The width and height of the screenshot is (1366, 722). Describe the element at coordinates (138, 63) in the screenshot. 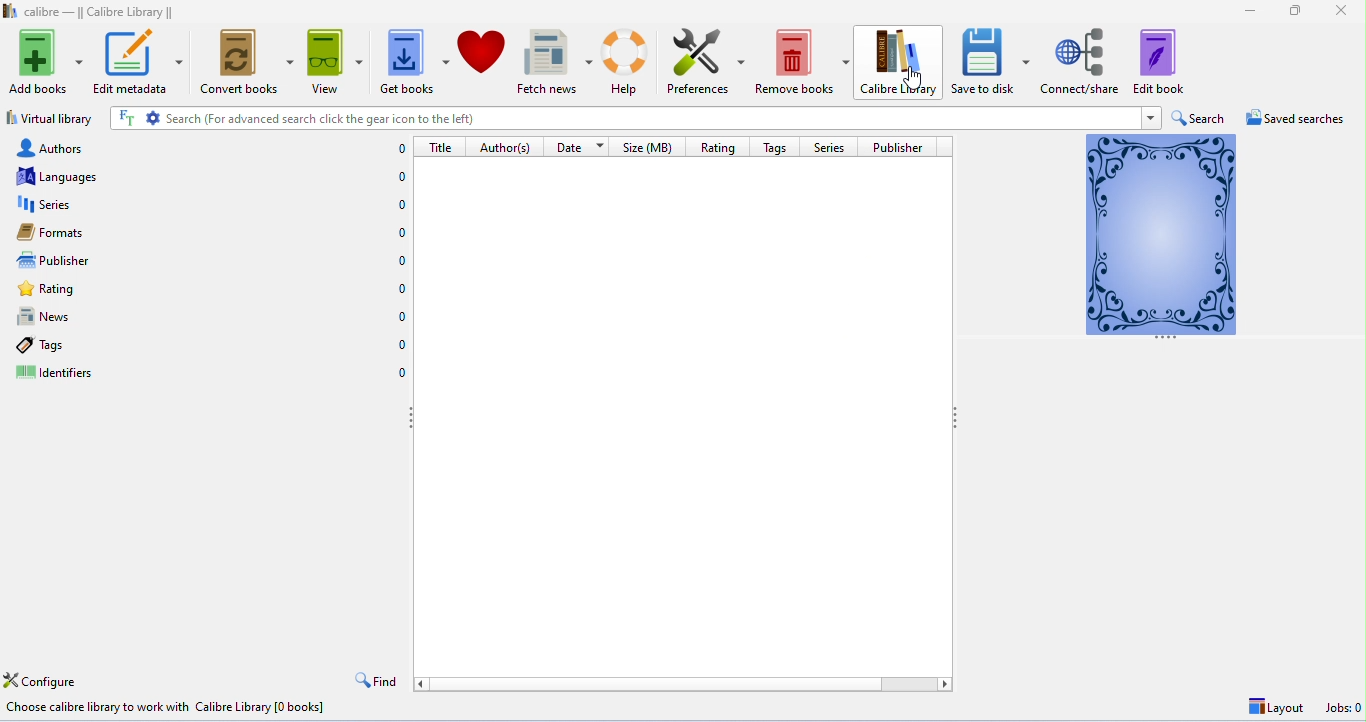

I see `edit metadata` at that location.